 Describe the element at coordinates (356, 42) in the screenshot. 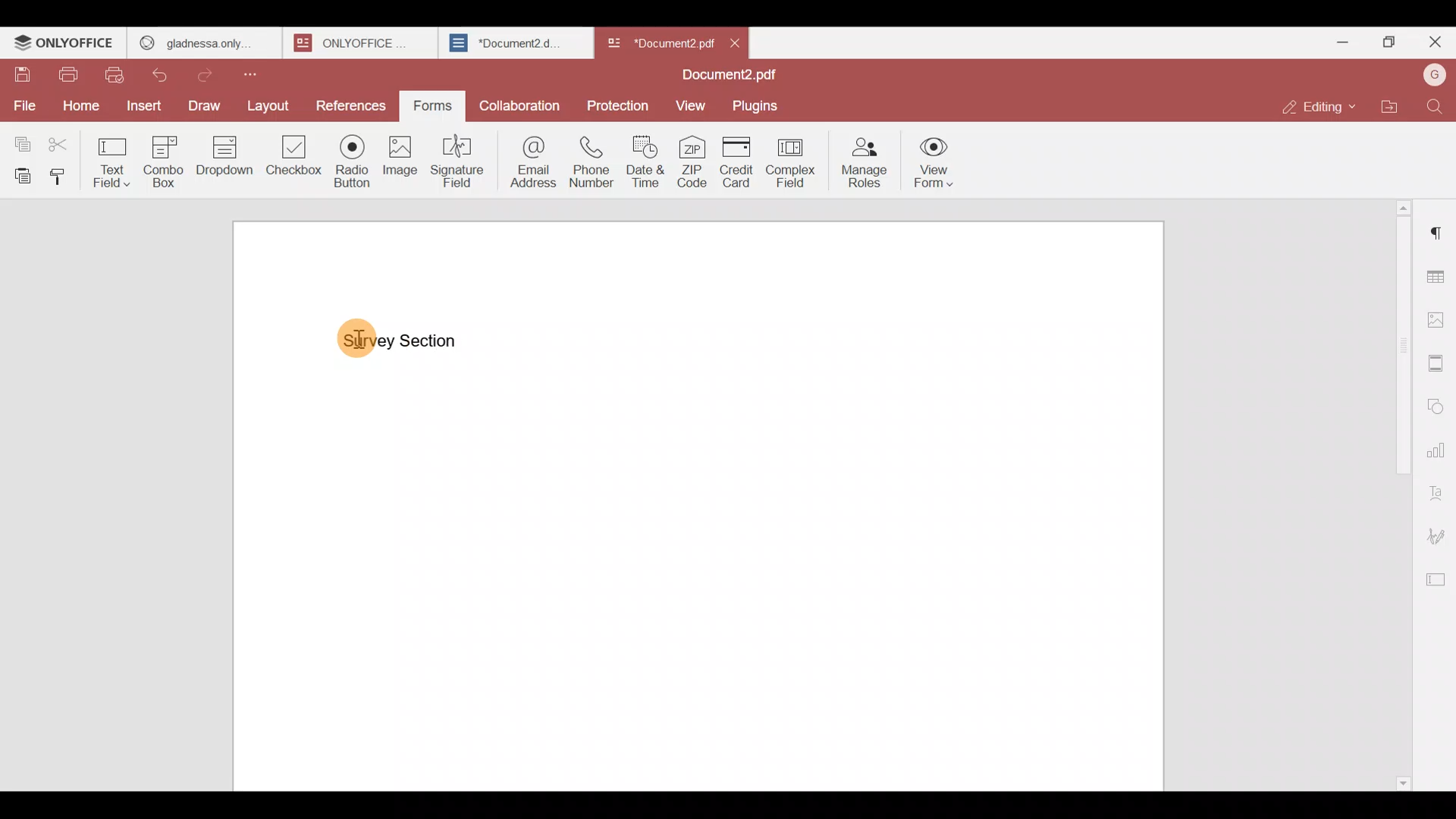

I see `ONLYOFFICE` at that location.